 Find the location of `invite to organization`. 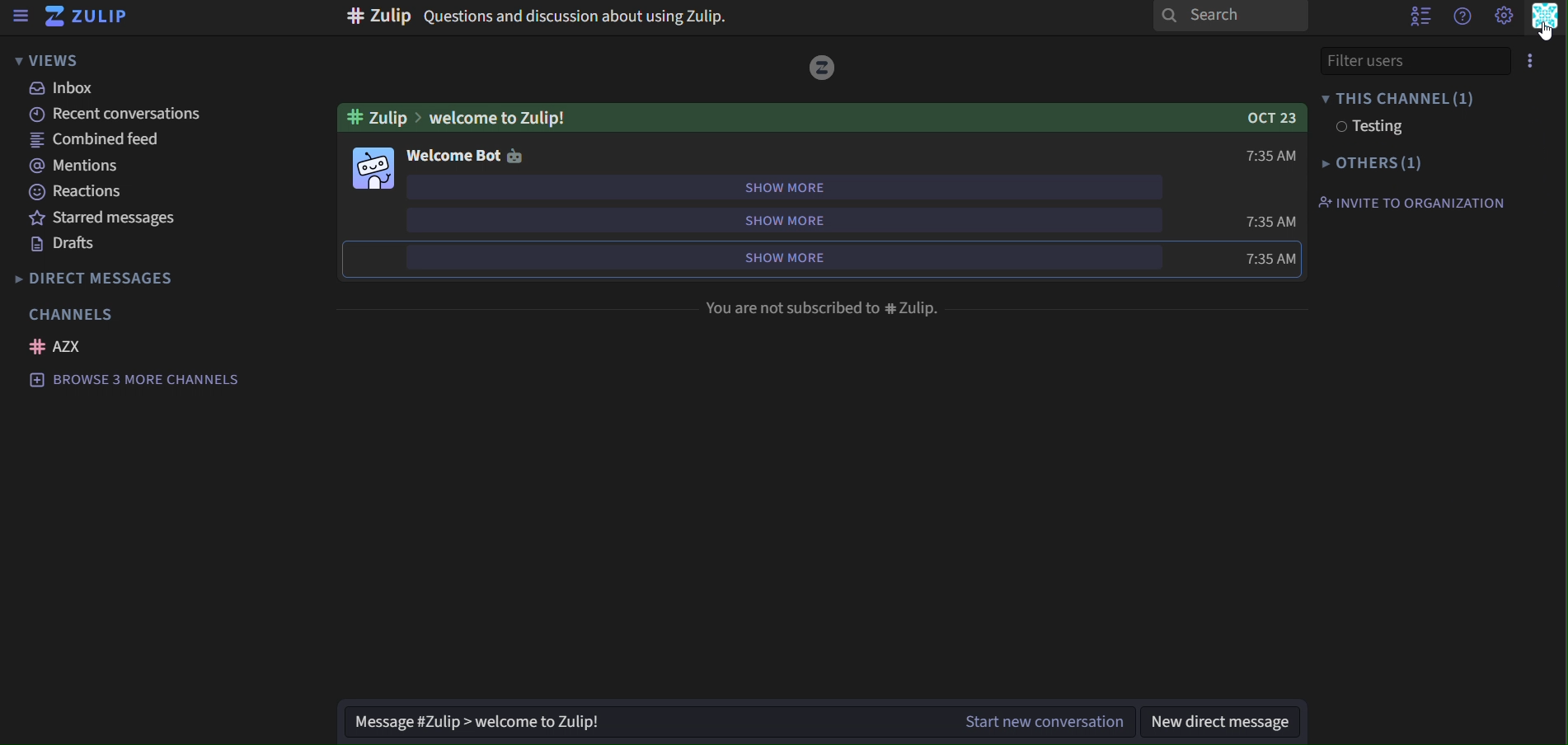

invite to organization is located at coordinates (1415, 202).